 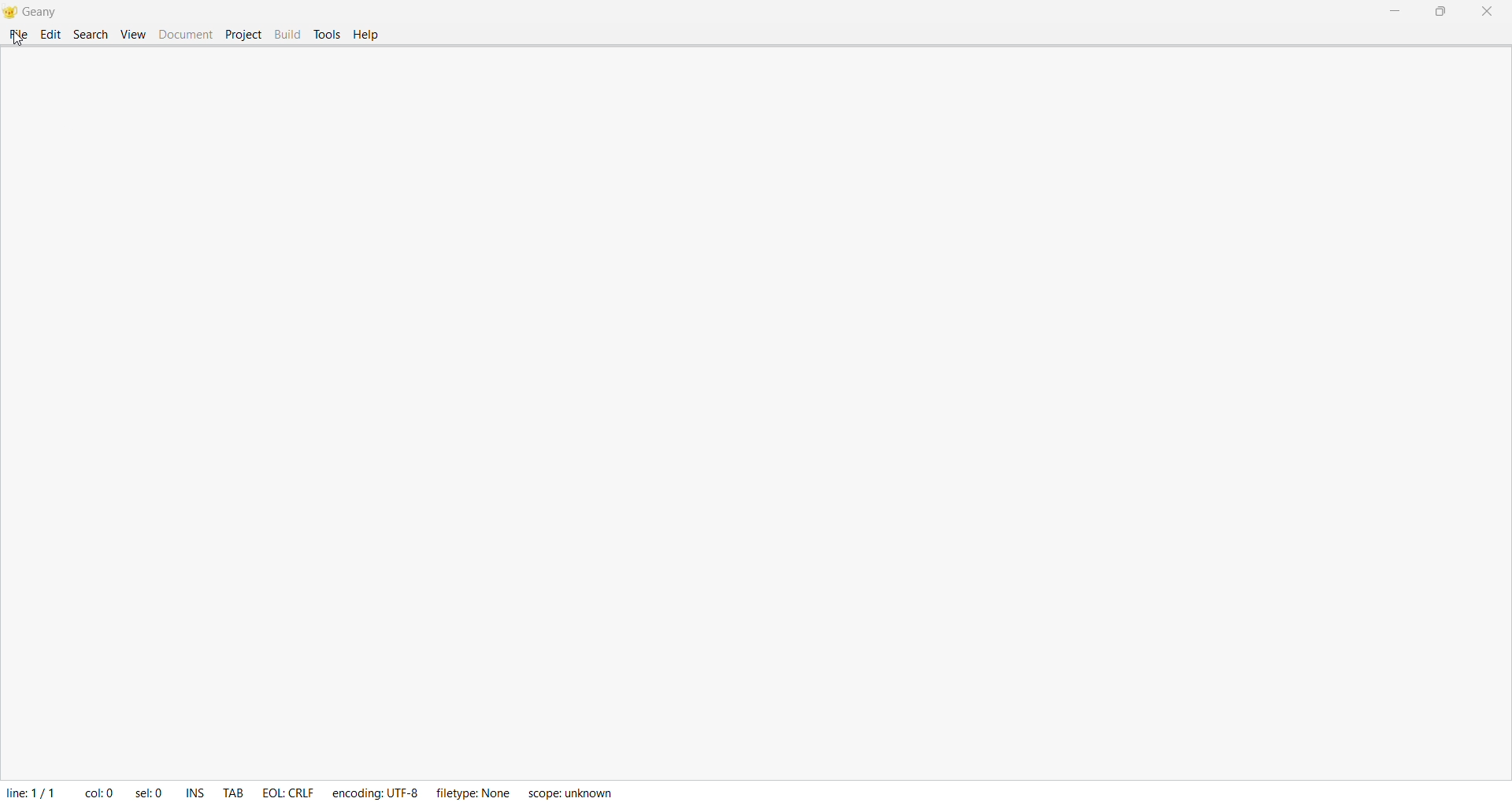 I want to click on Coding Space, so click(x=769, y=426).